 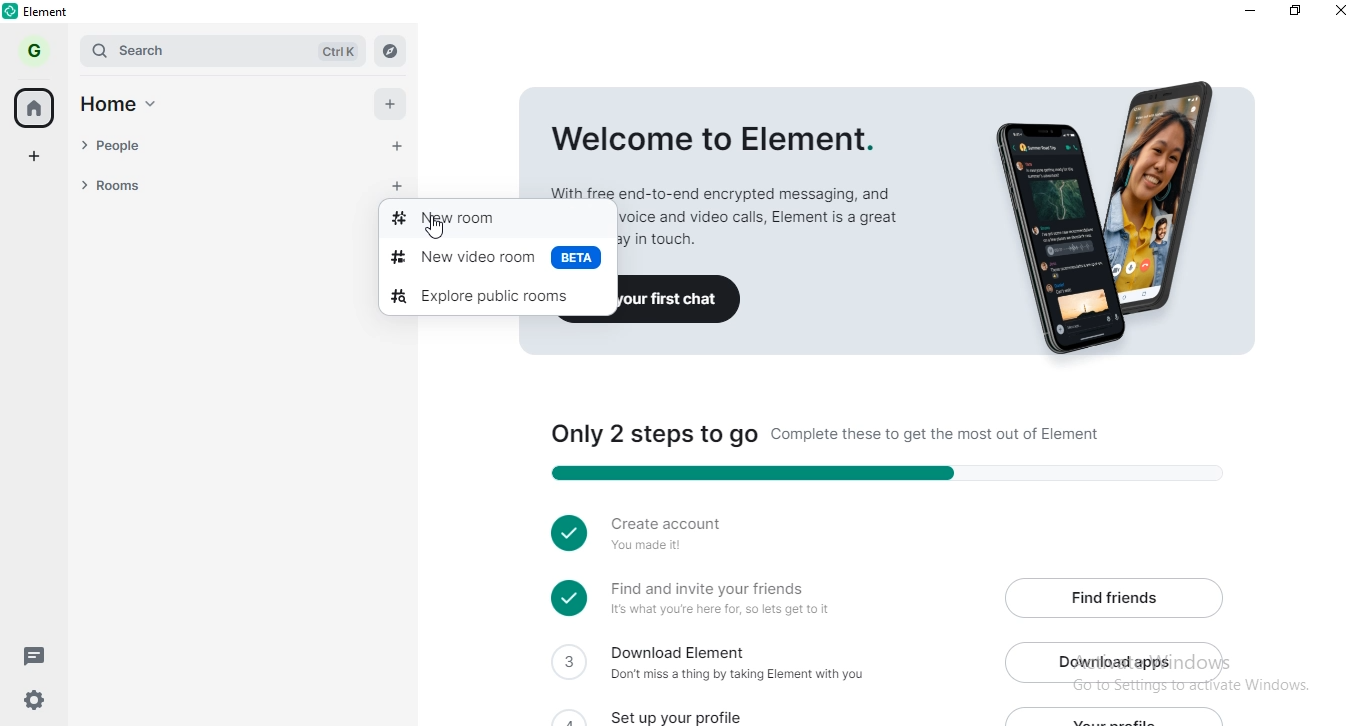 What do you see at coordinates (688, 713) in the screenshot?
I see `set up your profile` at bounding box center [688, 713].